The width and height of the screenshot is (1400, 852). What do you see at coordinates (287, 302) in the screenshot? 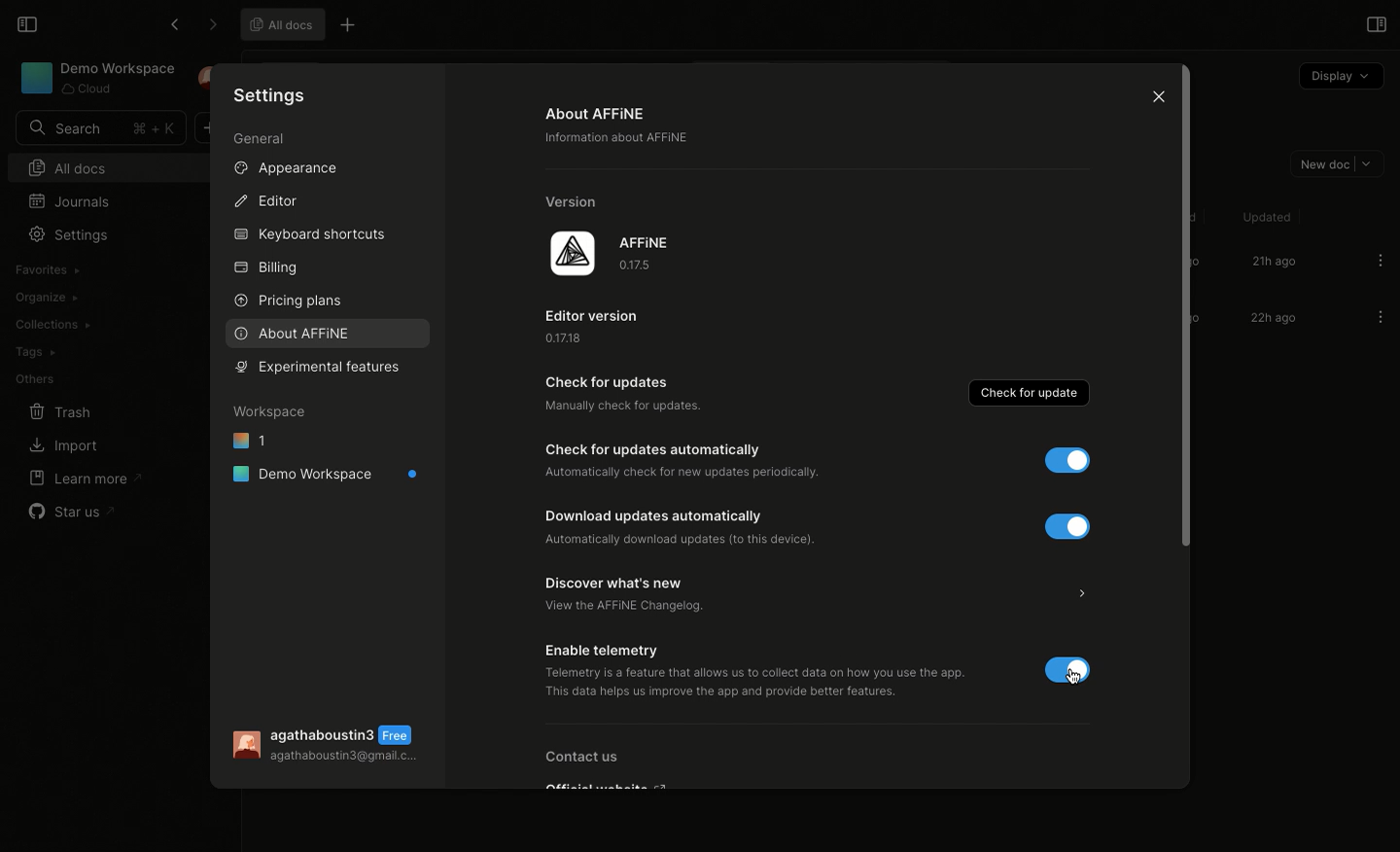
I see `Pricing plans` at bounding box center [287, 302].